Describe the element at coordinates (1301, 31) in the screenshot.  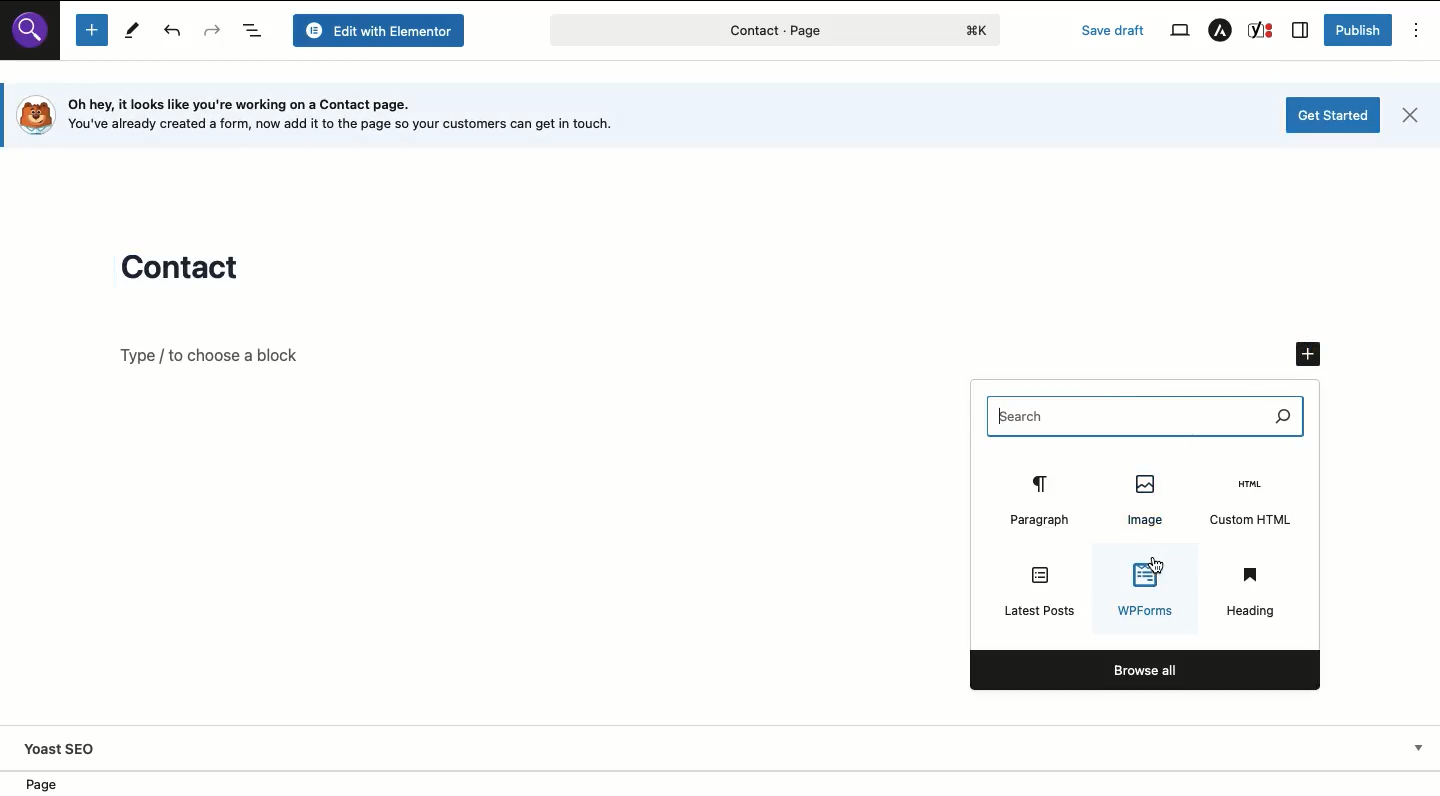
I see `Sidebar` at that location.